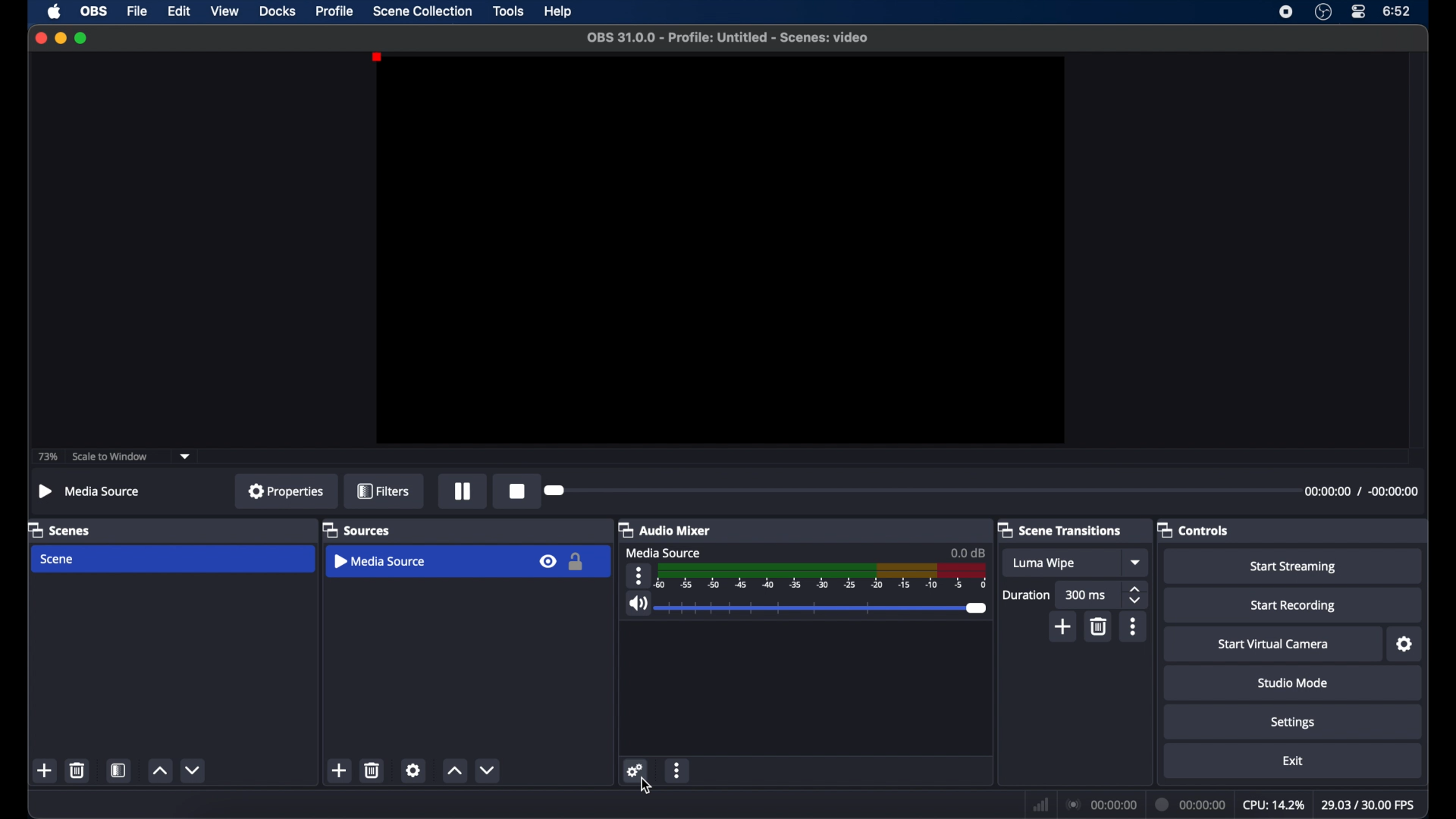 This screenshot has width=1456, height=819. What do you see at coordinates (54, 11) in the screenshot?
I see `apple icon` at bounding box center [54, 11].